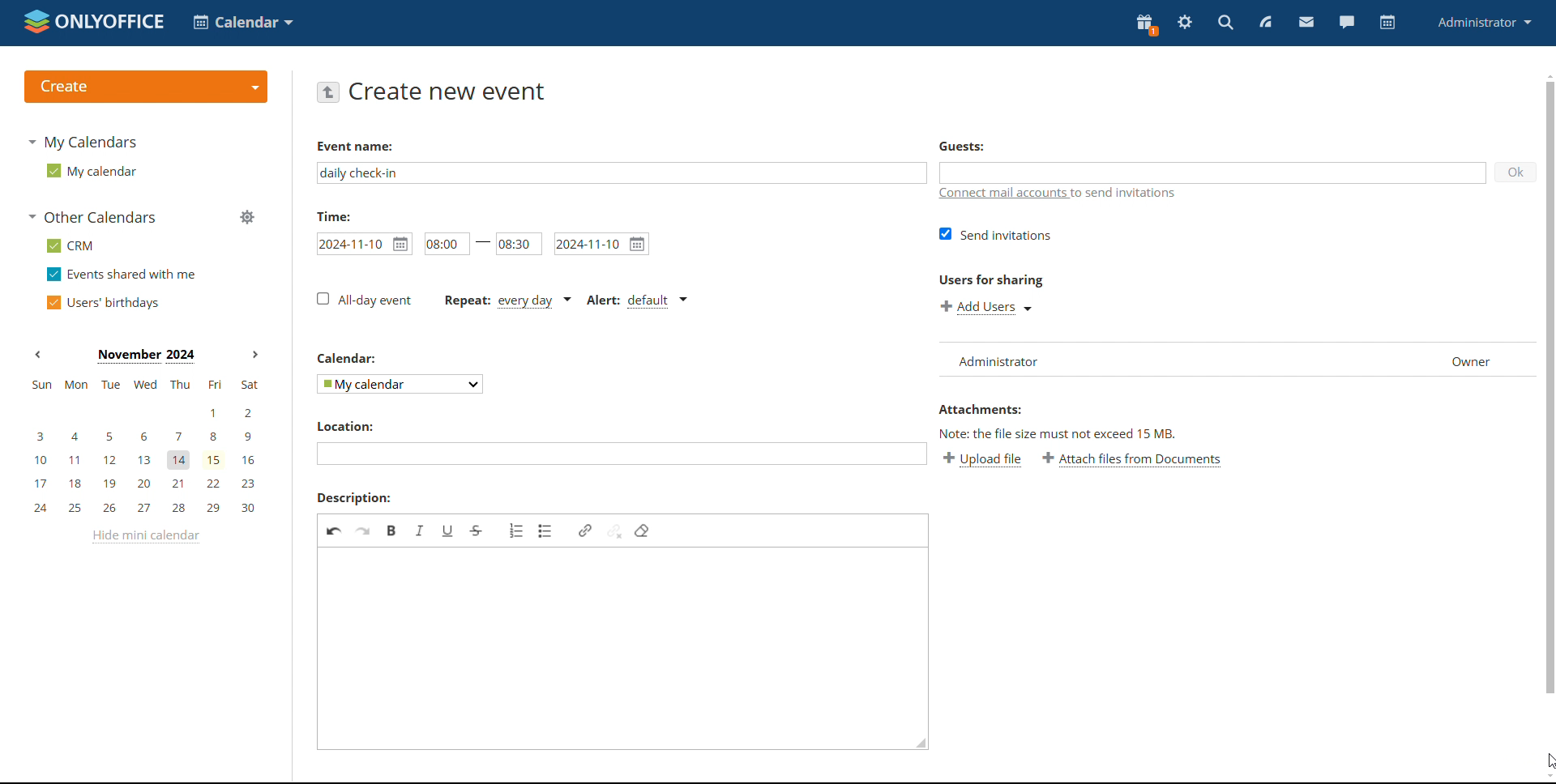 This screenshot has width=1556, height=784. What do you see at coordinates (1511, 170) in the screenshot?
I see `ok` at bounding box center [1511, 170].